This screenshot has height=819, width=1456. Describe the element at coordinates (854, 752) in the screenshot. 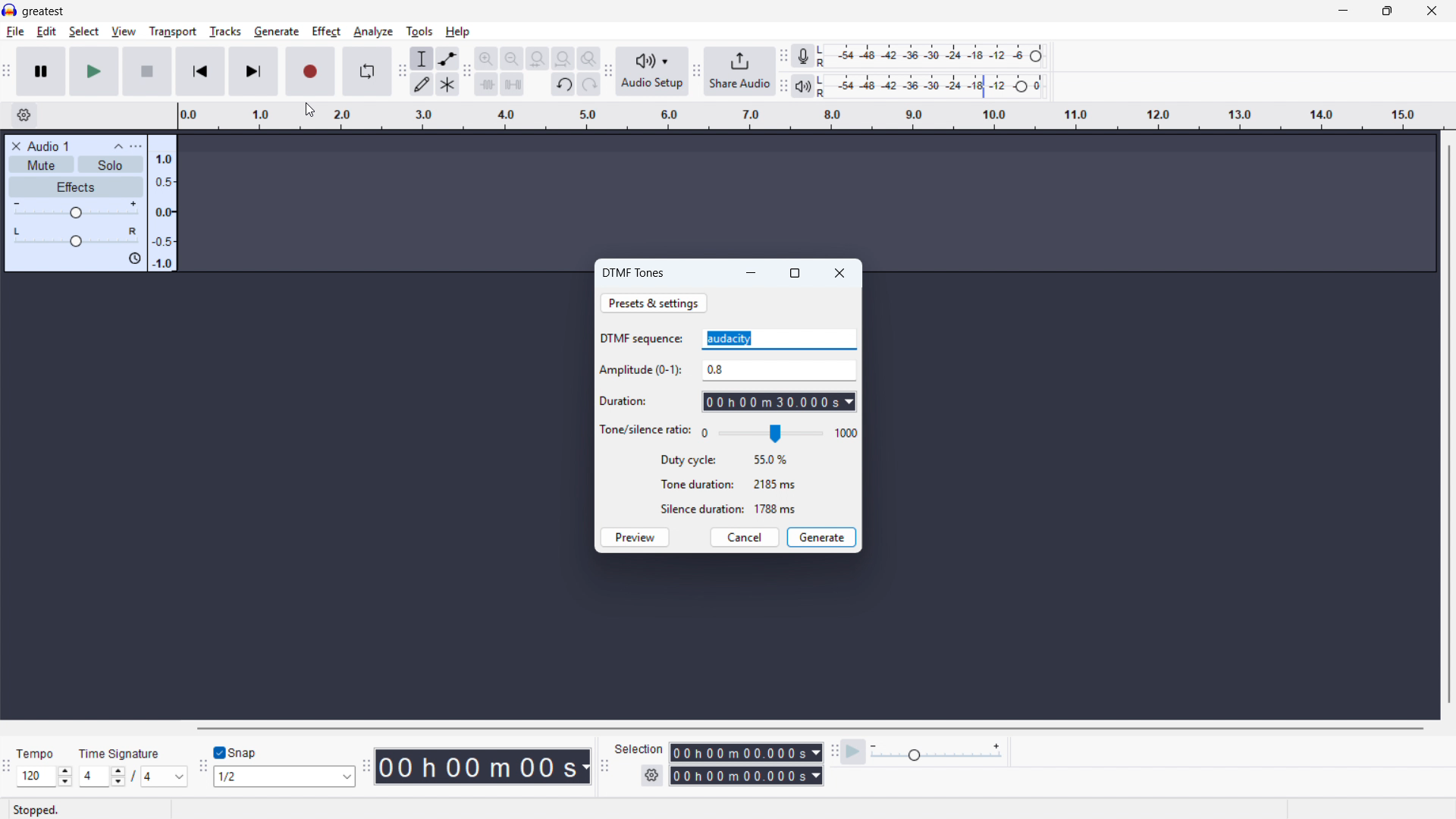

I see `Play at speed ` at that location.